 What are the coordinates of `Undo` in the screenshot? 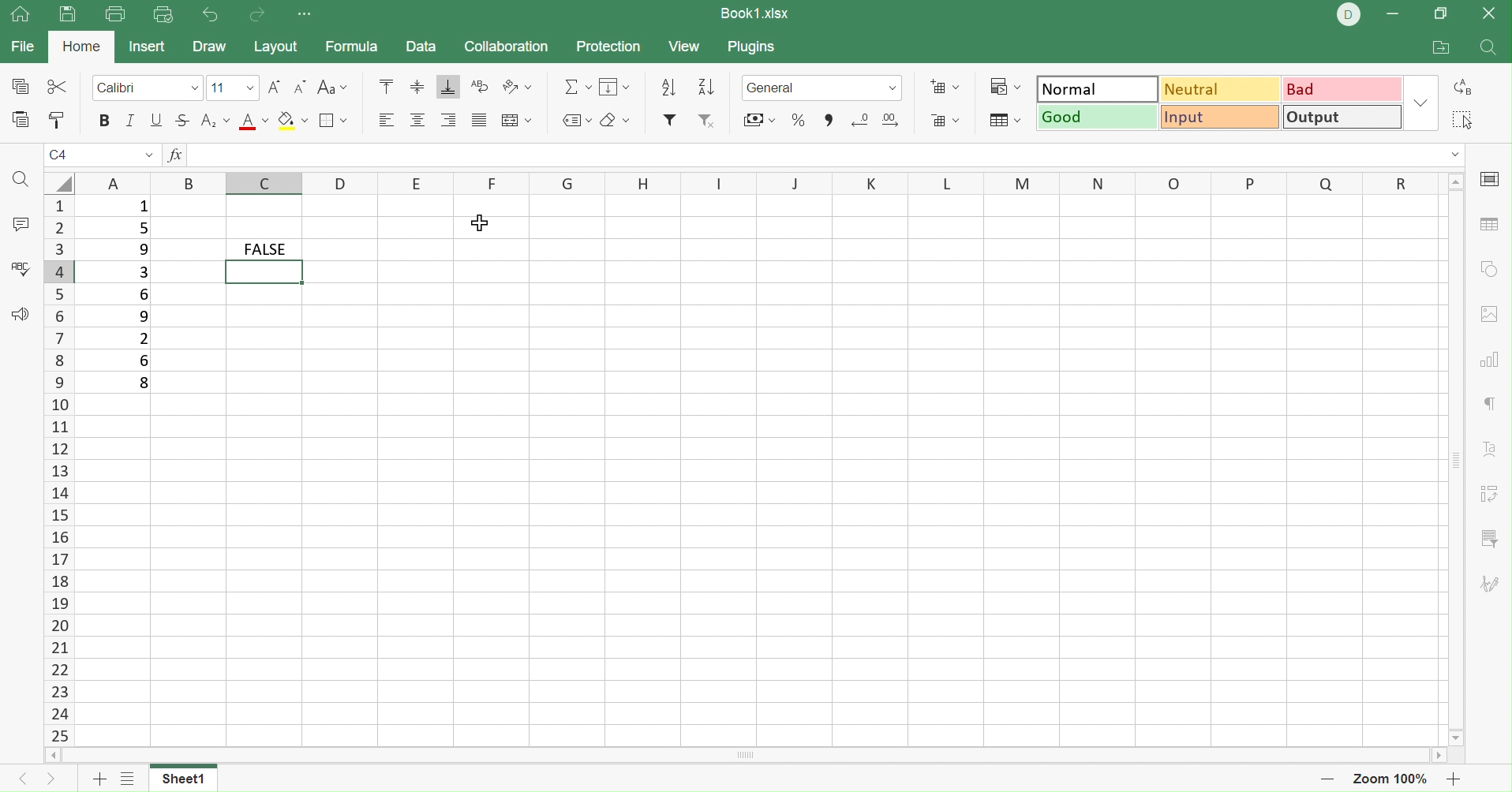 It's located at (210, 13).